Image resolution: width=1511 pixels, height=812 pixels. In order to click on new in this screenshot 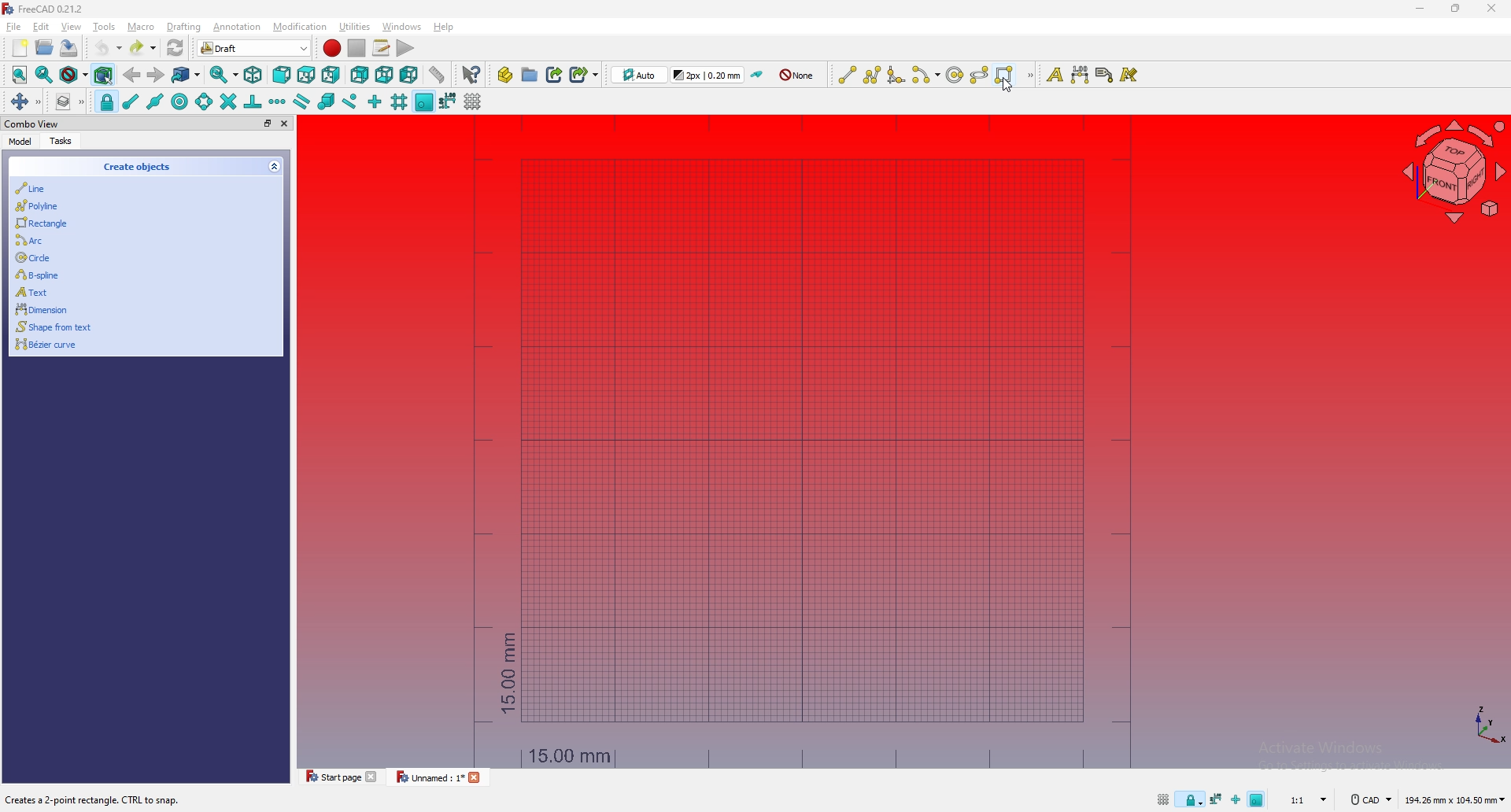, I will do `click(20, 48)`.